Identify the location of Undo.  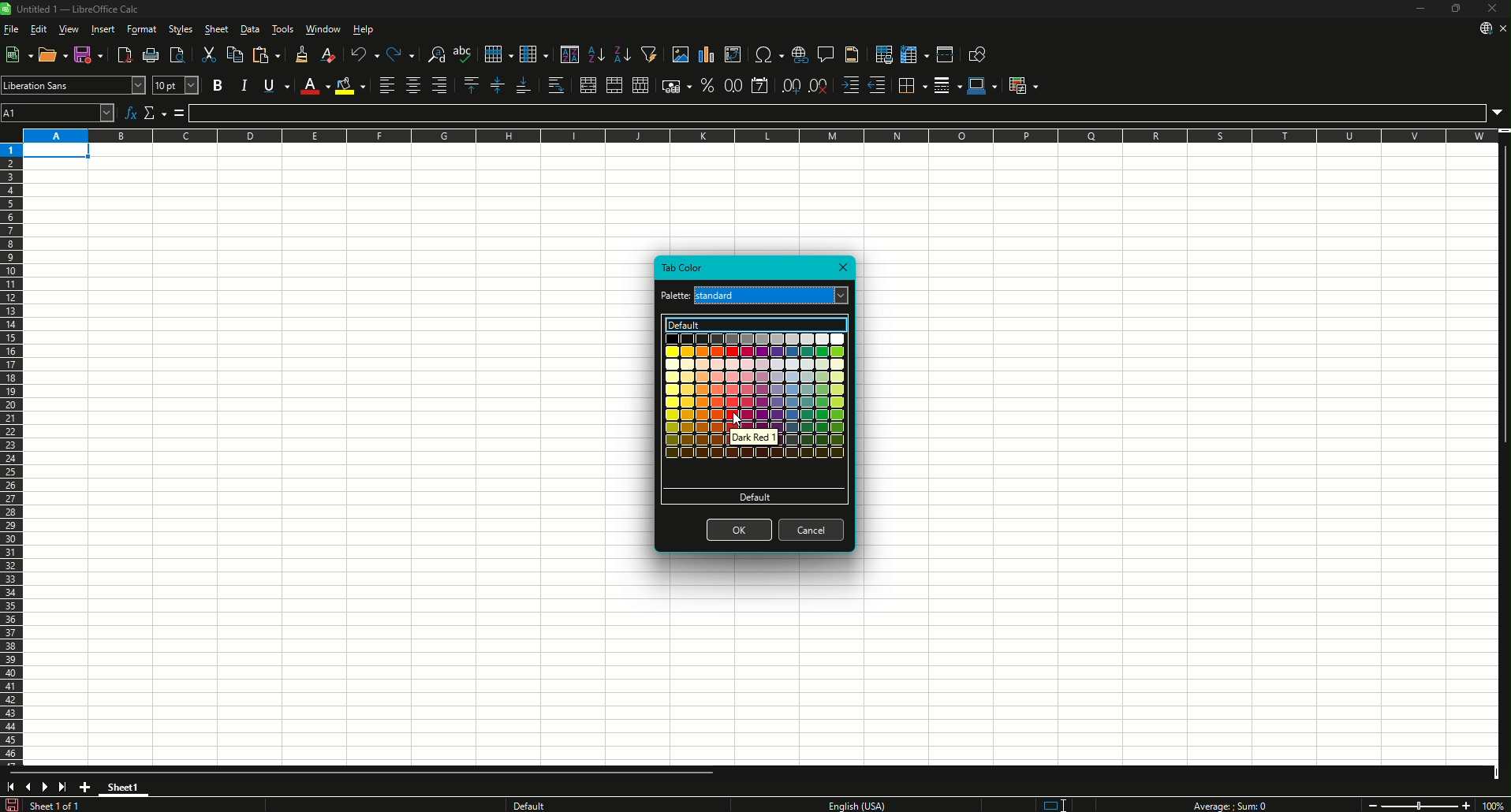
(365, 54).